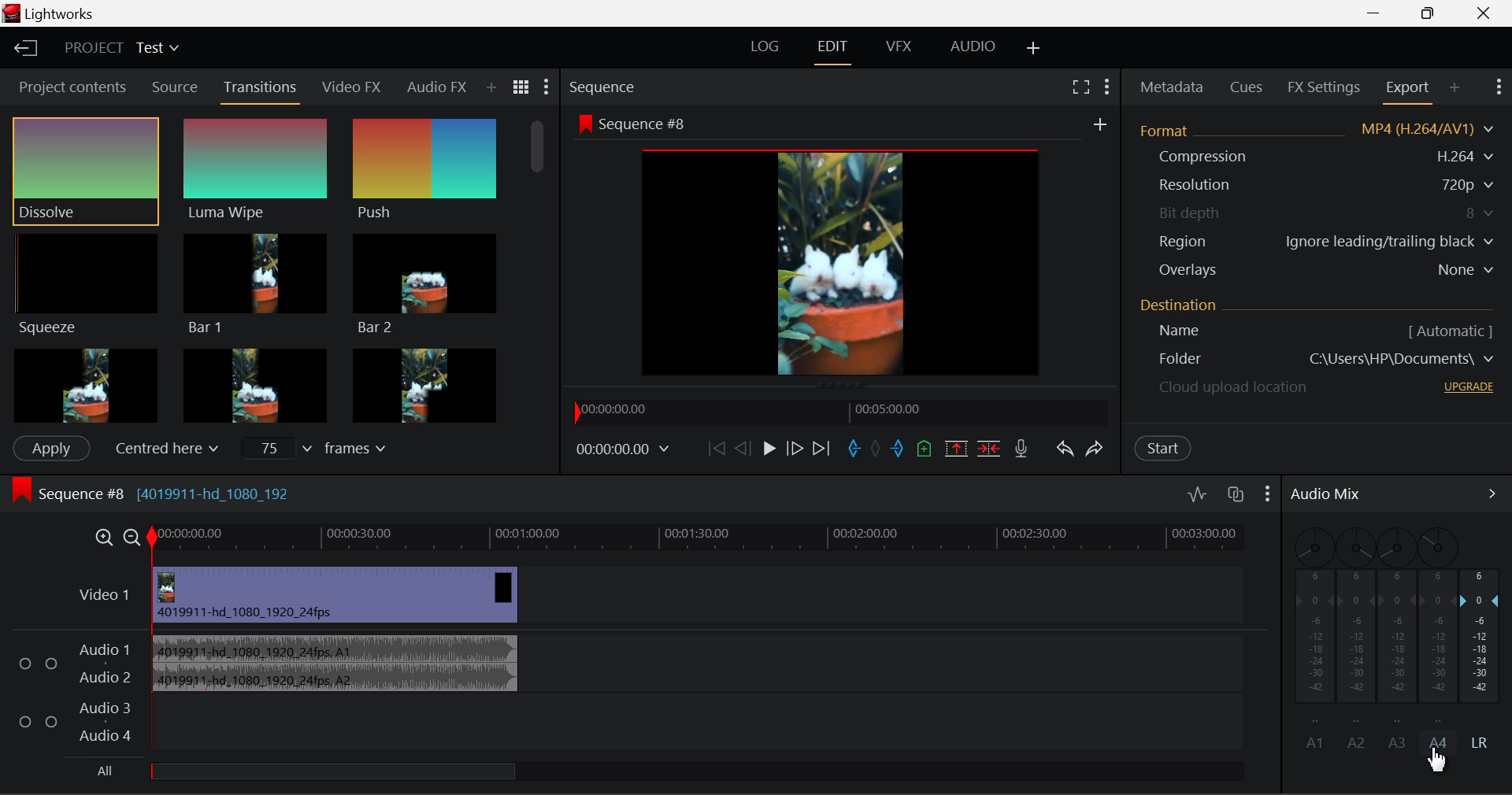  Describe the element at coordinates (535, 269) in the screenshot. I see `Scroll Bar` at that location.